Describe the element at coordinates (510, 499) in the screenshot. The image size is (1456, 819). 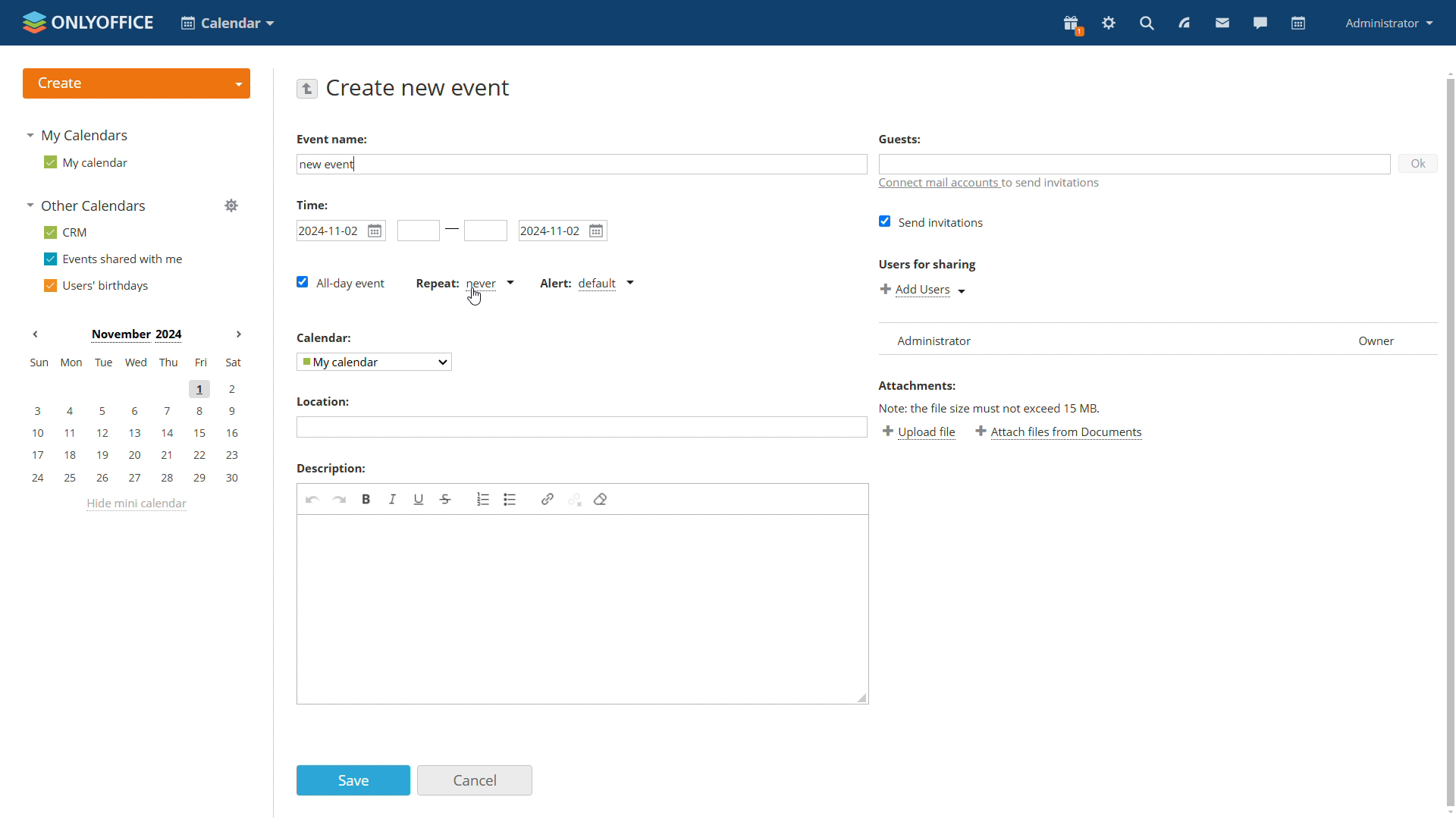
I see `insert/remove bulleted list` at that location.